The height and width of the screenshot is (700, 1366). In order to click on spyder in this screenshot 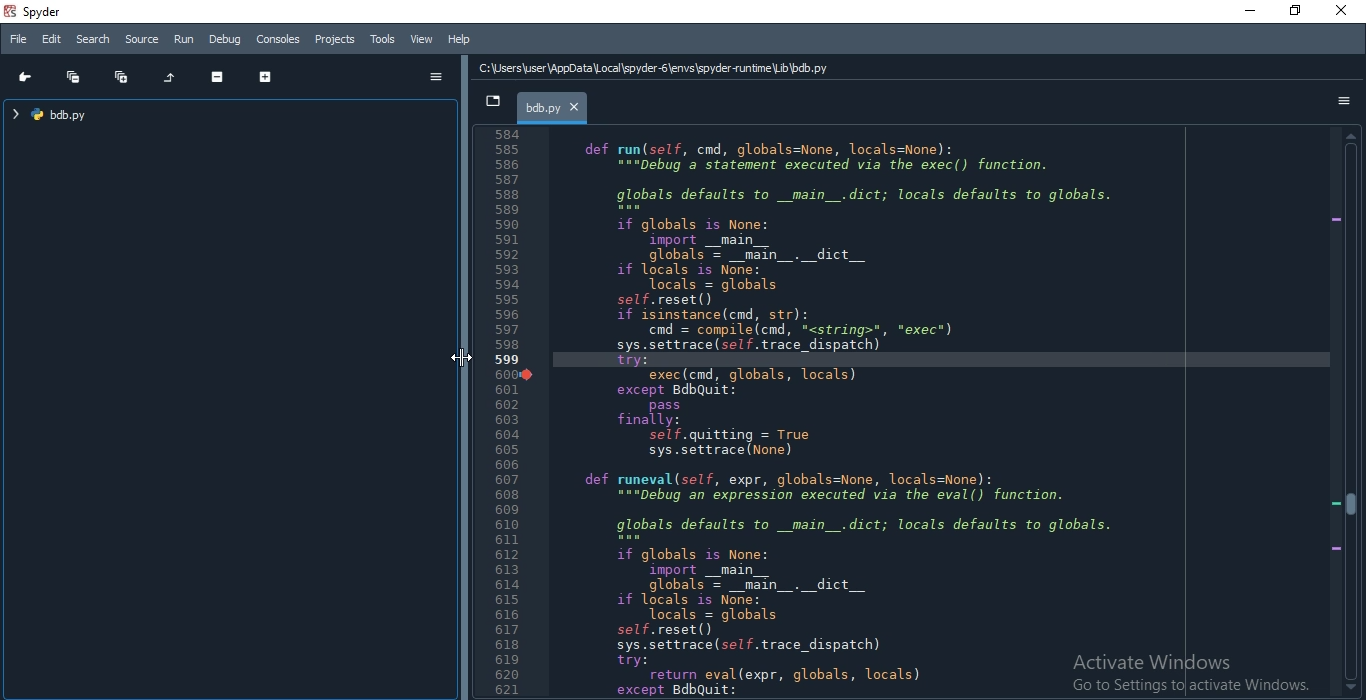, I will do `click(35, 12)`.